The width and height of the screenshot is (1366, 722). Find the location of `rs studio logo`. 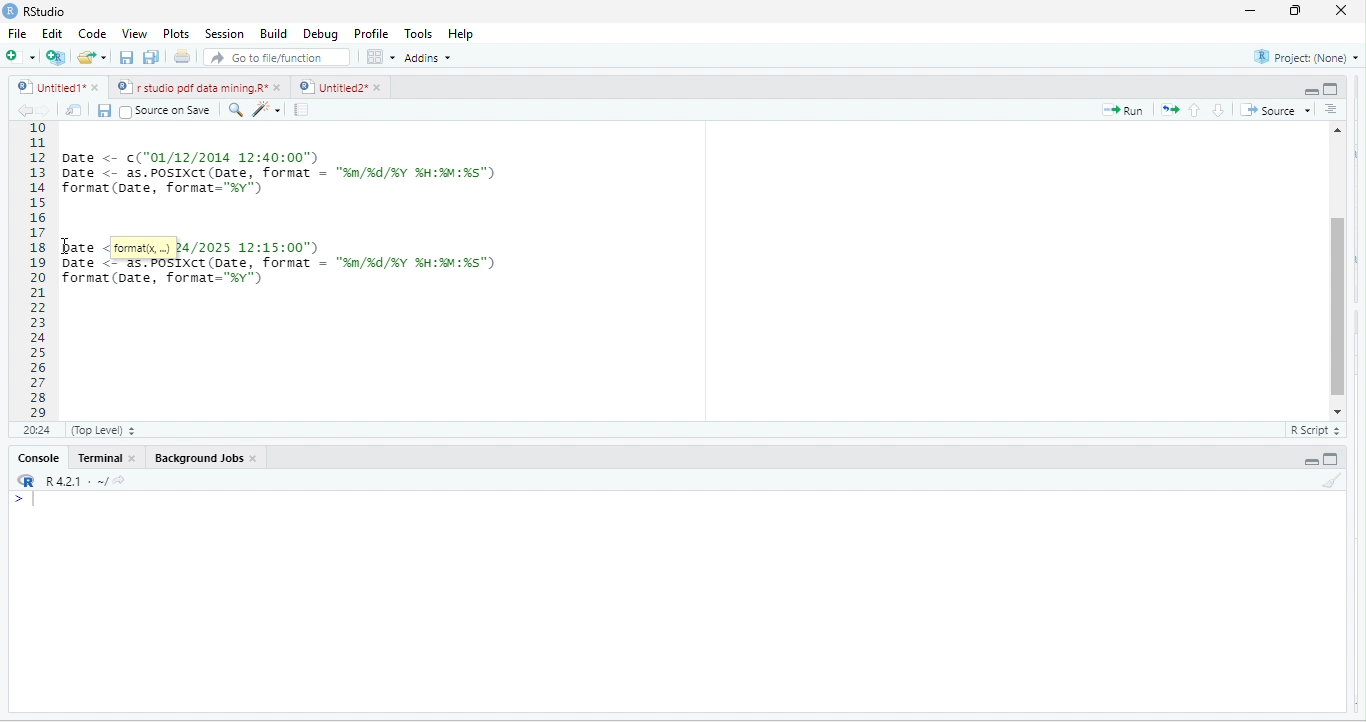

rs studio logo is located at coordinates (12, 10).